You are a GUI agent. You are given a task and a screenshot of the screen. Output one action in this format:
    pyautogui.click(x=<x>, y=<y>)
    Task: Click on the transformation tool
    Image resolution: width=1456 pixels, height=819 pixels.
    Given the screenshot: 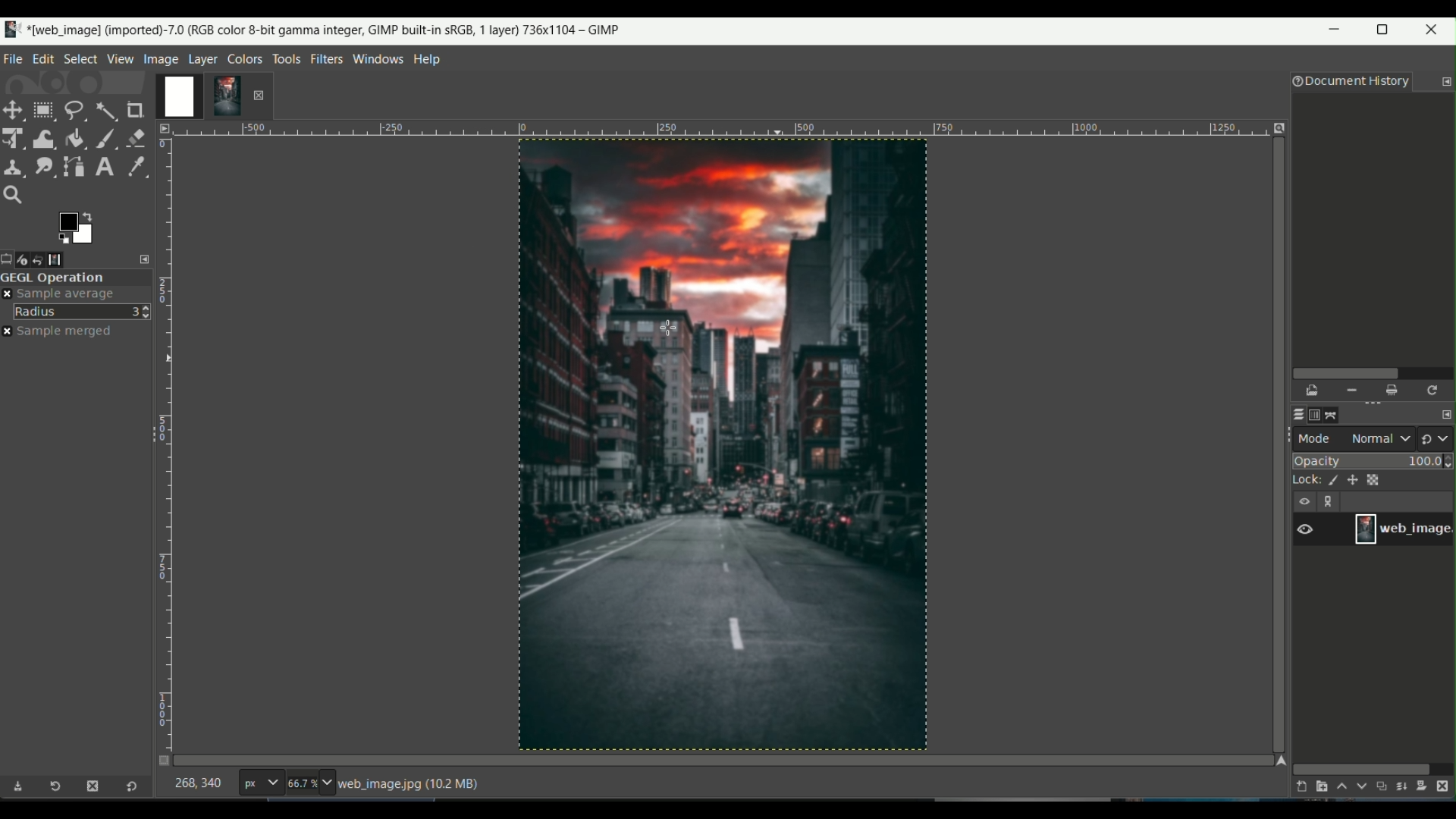 What is the action you would take?
    pyautogui.click(x=44, y=136)
    